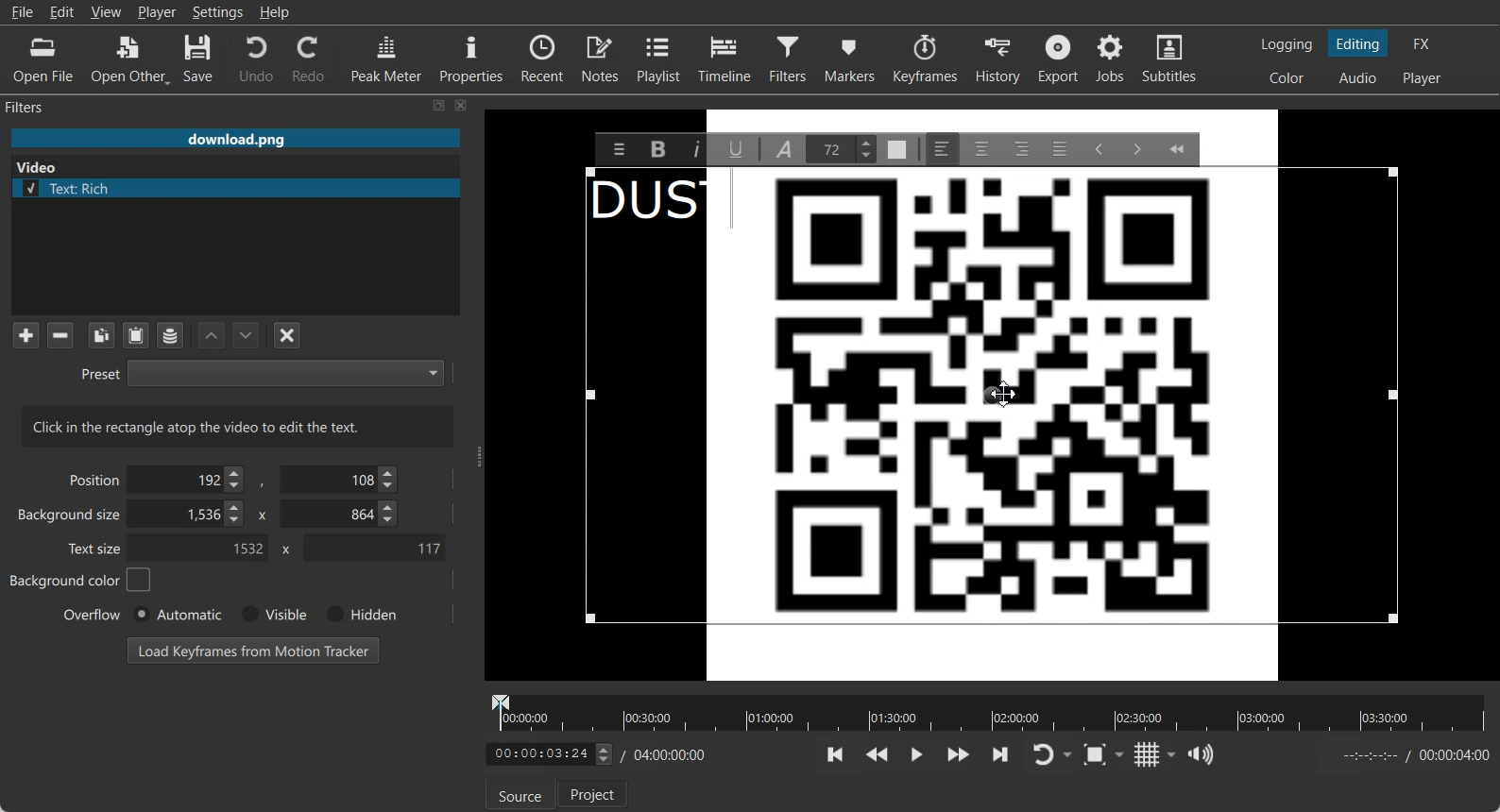 The width and height of the screenshot is (1500, 812). What do you see at coordinates (374, 547) in the screenshot?
I see `Text Size Y- Coordinate` at bounding box center [374, 547].